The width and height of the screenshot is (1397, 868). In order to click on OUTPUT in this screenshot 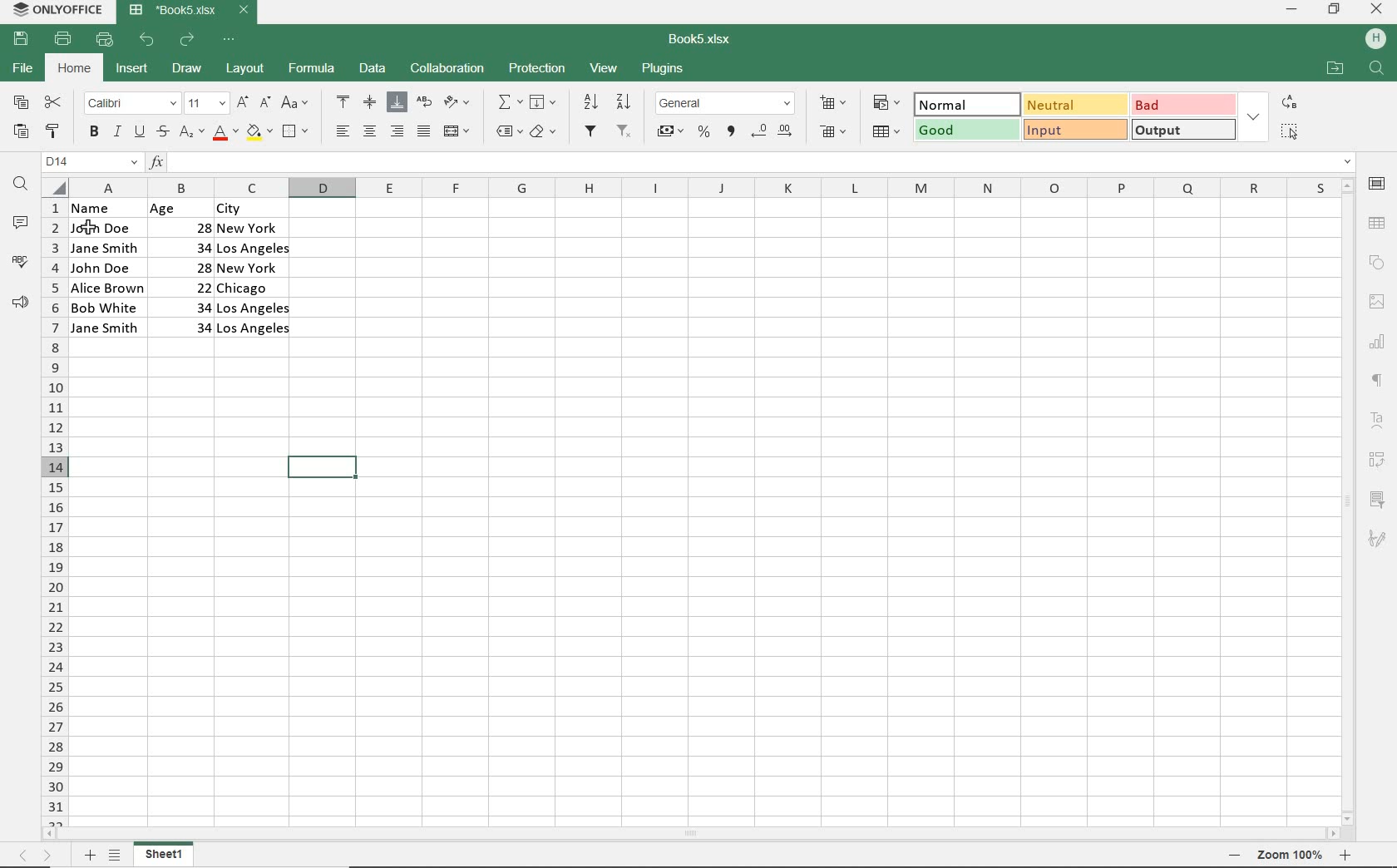, I will do `click(1182, 129)`.